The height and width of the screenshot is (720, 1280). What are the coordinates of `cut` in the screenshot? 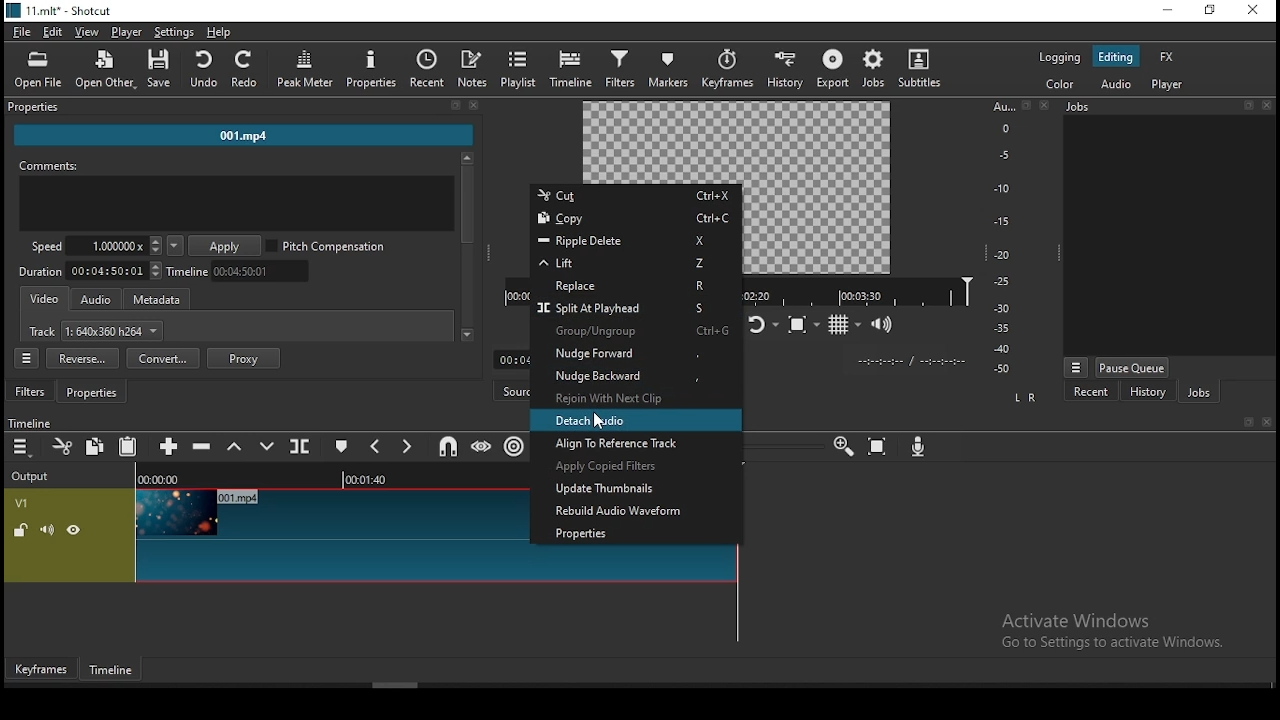 It's located at (61, 446).